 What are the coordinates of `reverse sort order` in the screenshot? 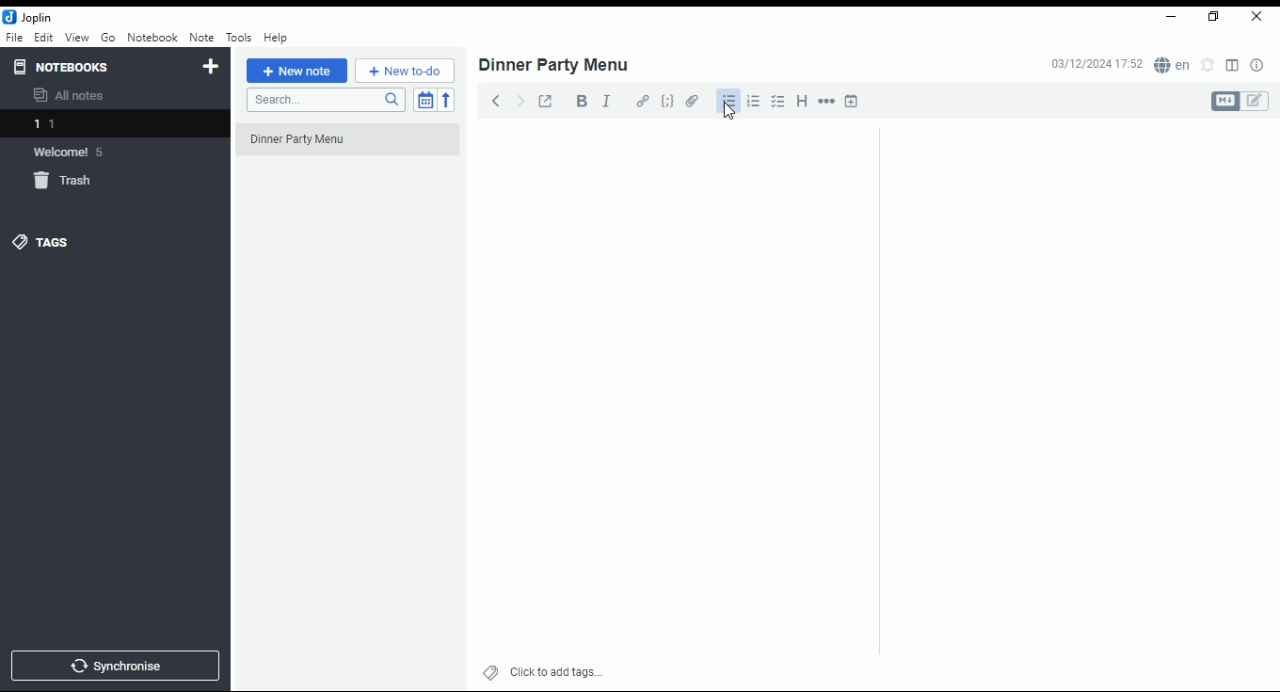 It's located at (448, 99).